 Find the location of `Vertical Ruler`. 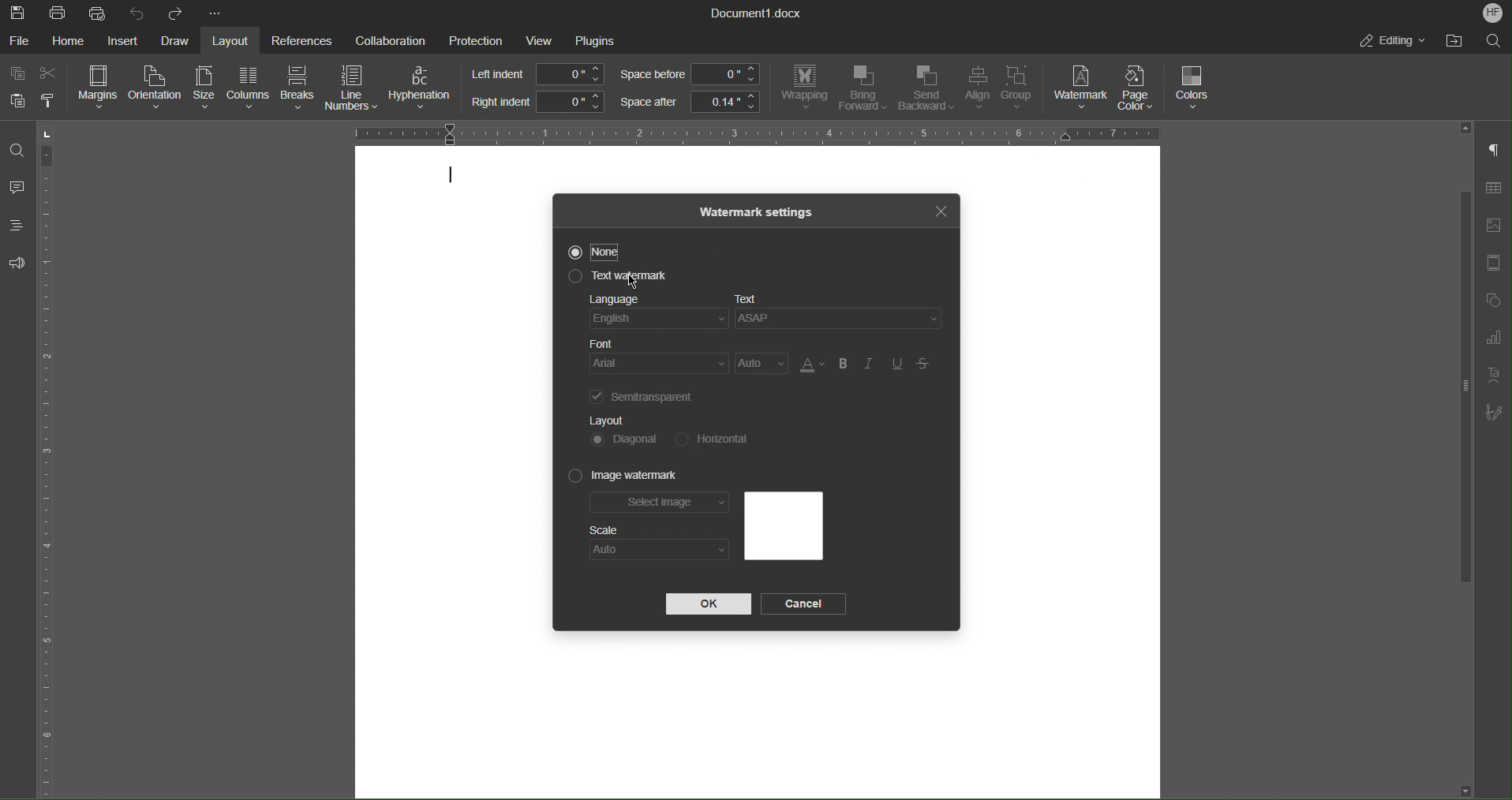

Vertical Ruler is located at coordinates (50, 459).